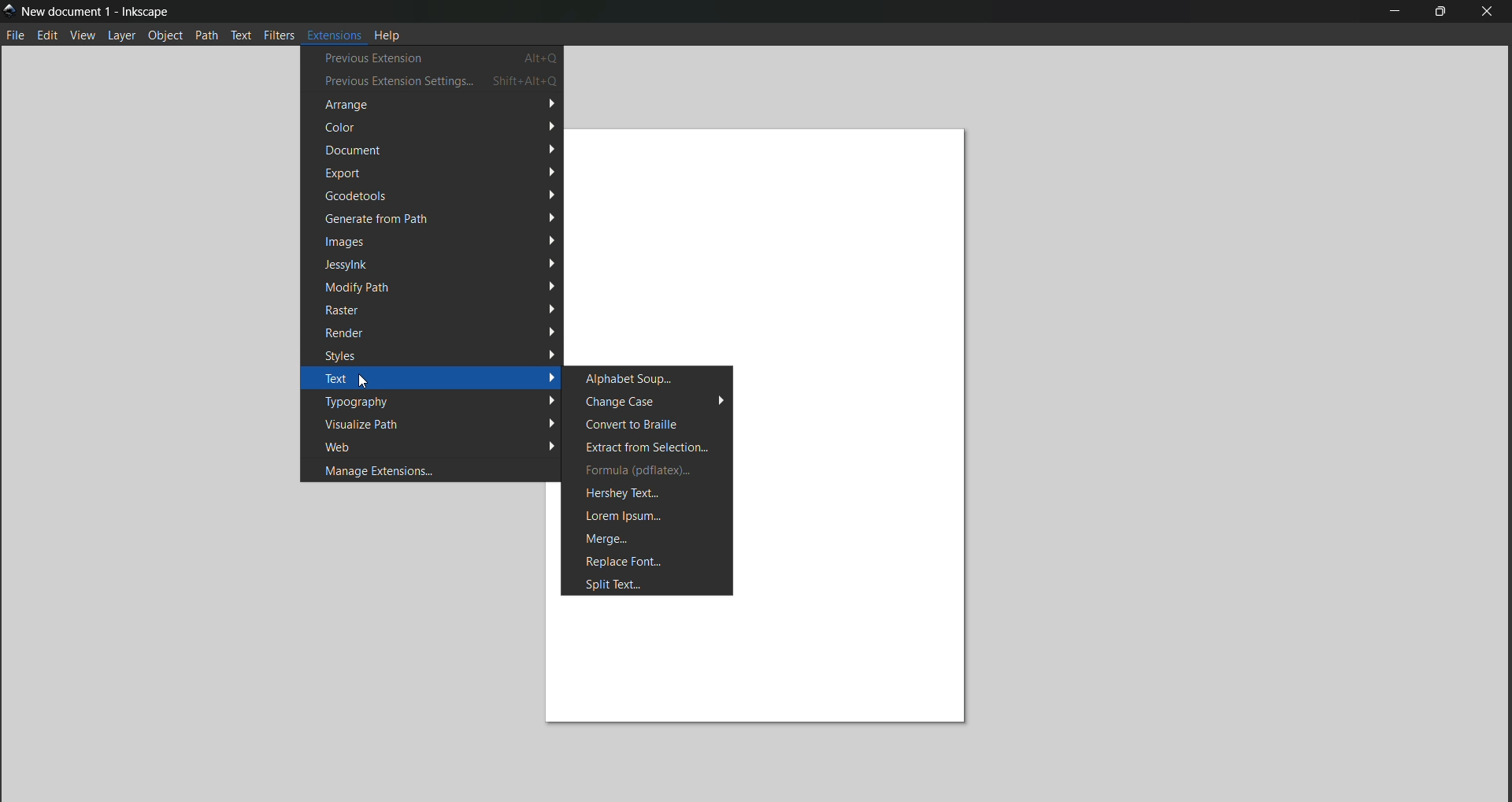 The image size is (1512, 802). Describe the element at coordinates (432, 58) in the screenshot. I see `previous extension` at that location.